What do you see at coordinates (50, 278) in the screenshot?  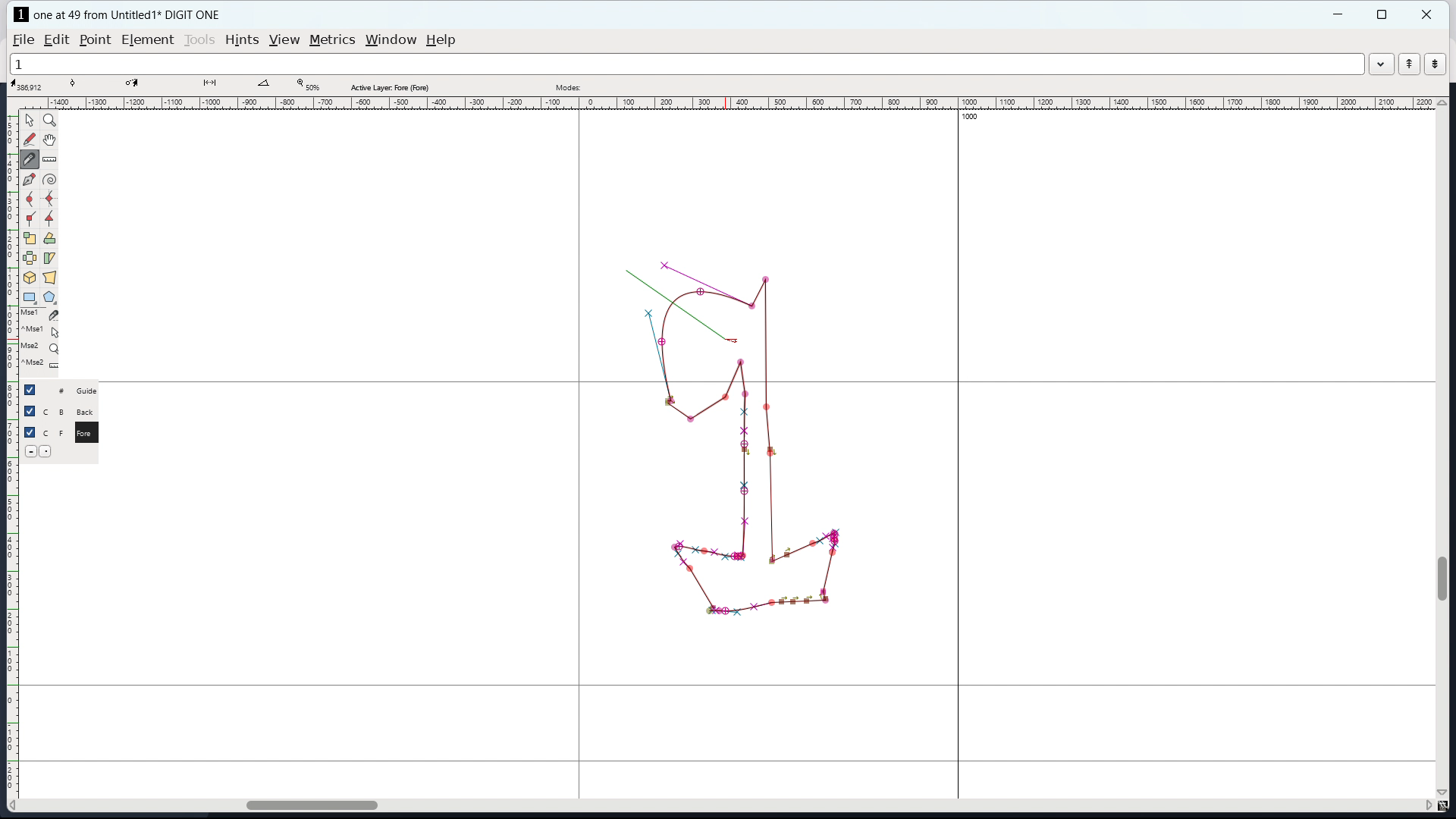 I see `perspective transformation` at bounding box center [50, 278].